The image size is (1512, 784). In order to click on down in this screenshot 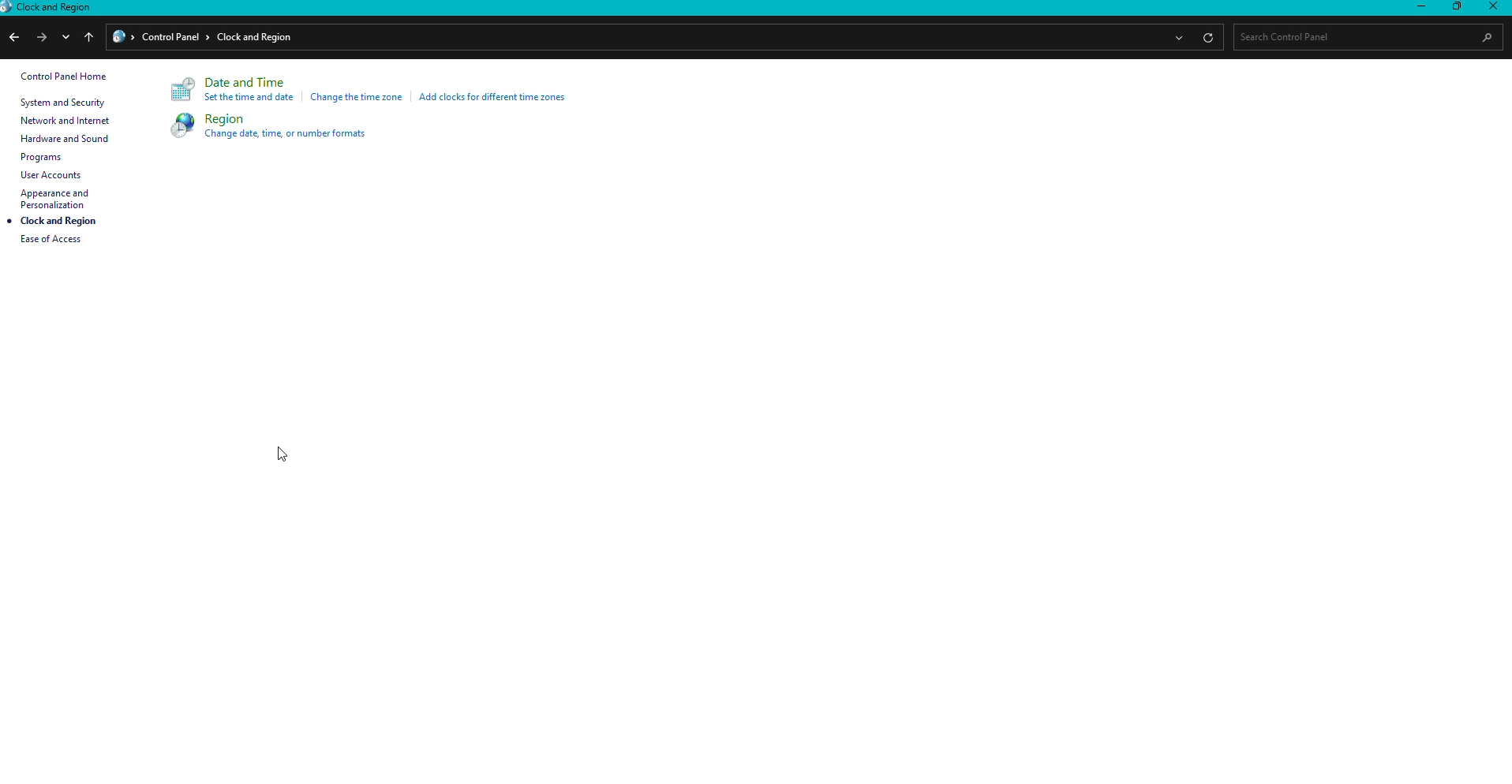, I will do `click(69, 39)`.